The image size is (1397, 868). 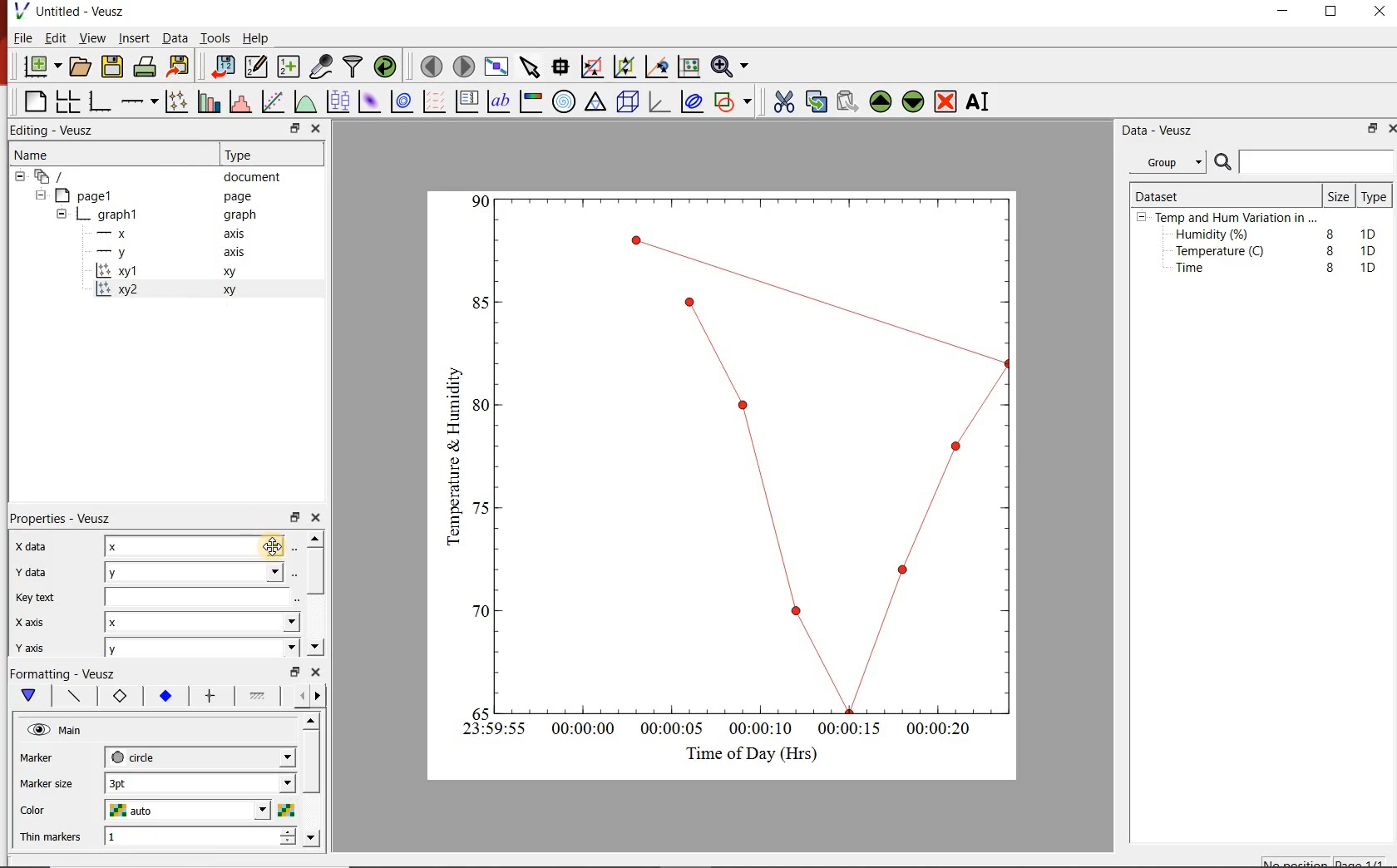 I want to click on graph, so click(x=239, y=216).